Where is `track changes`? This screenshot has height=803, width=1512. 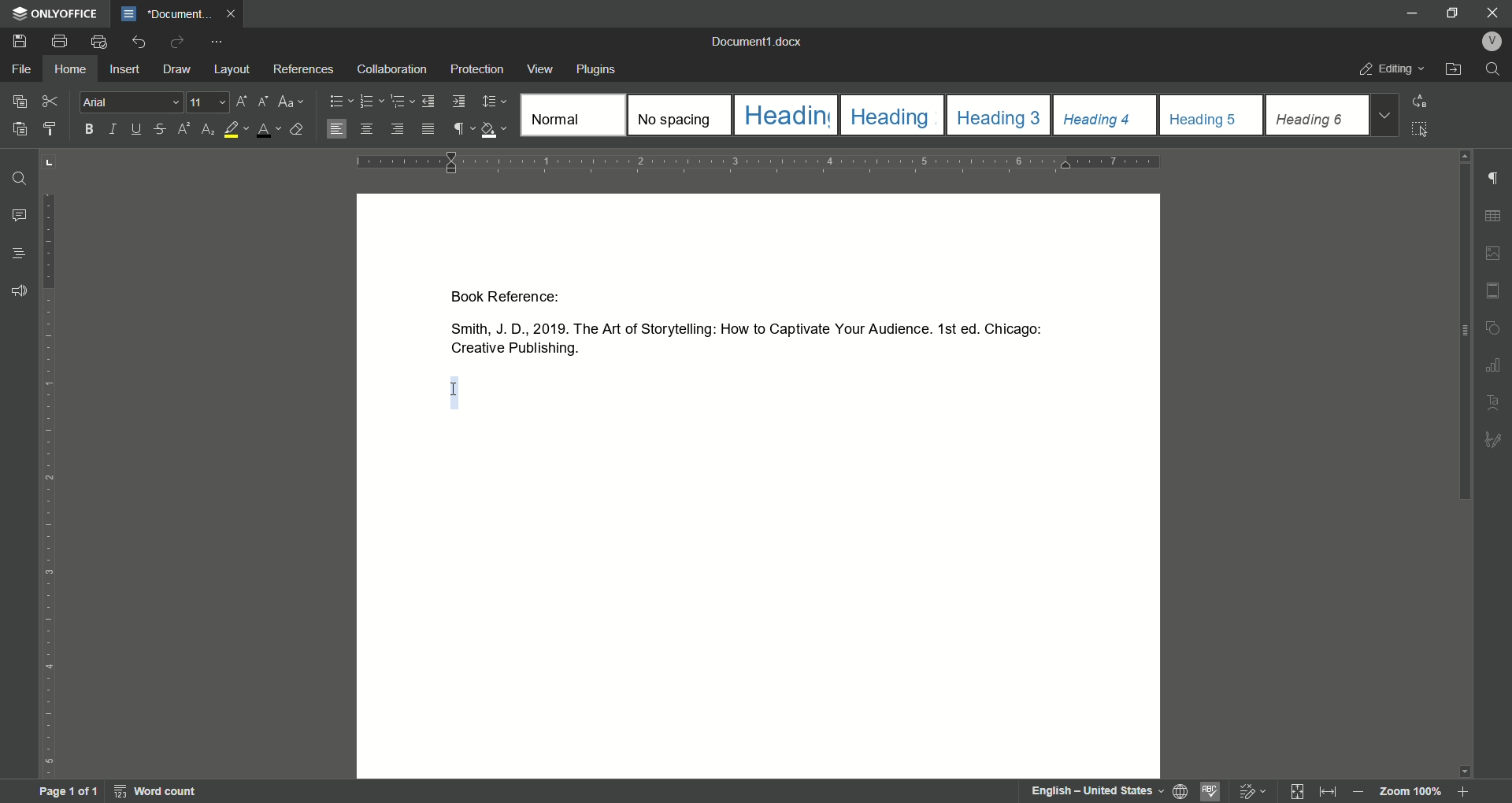
track changes is located at coordinates (1249, 790).